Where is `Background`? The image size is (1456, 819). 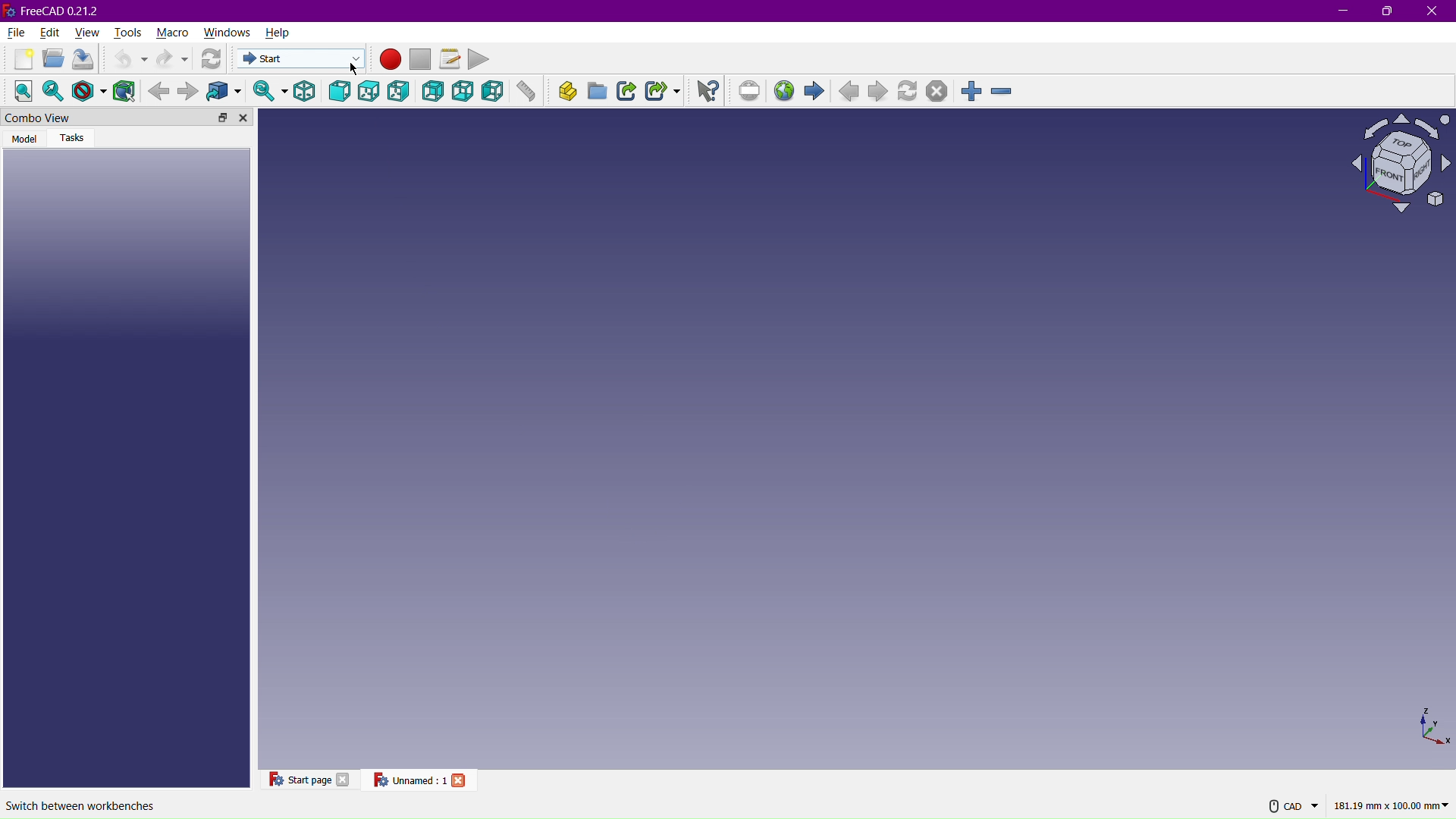 Background is located at coordinates (158, 89).